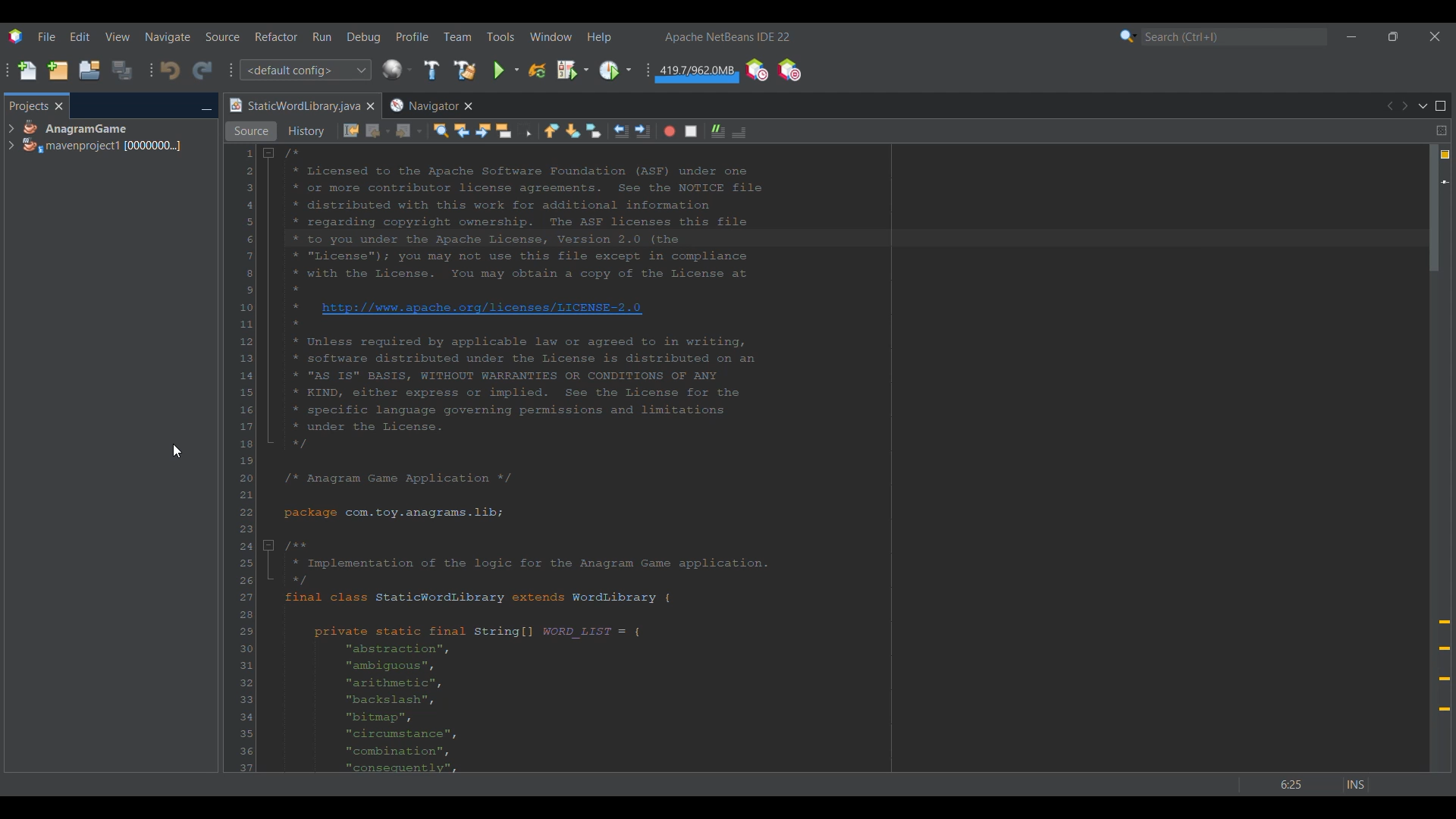  What do you see at coordinates (364, 37) in the screenshot?
I see `Debug menu` at bounding box center [364, 37].